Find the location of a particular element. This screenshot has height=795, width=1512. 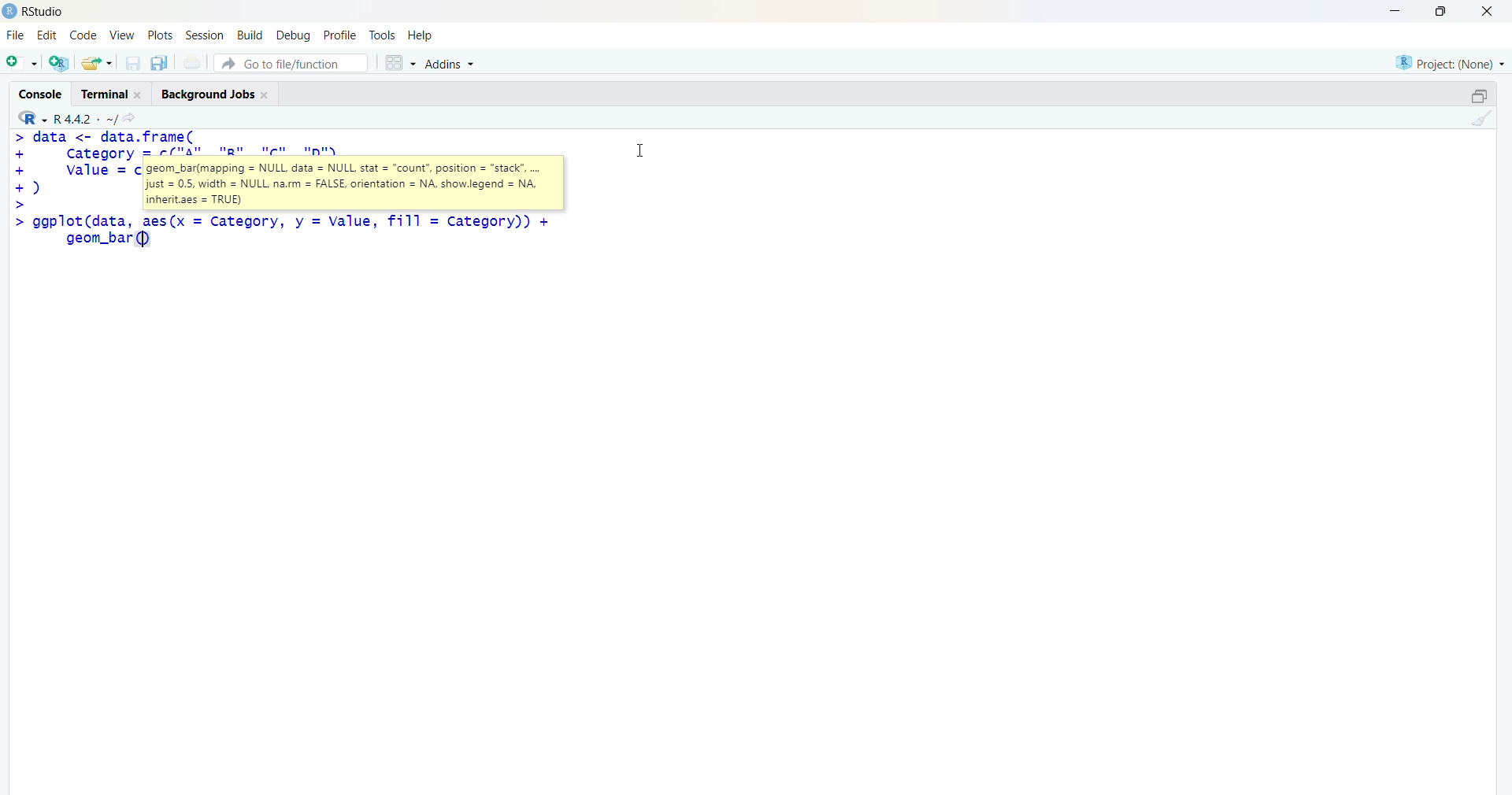

plots is located at coordinates (162, 35).